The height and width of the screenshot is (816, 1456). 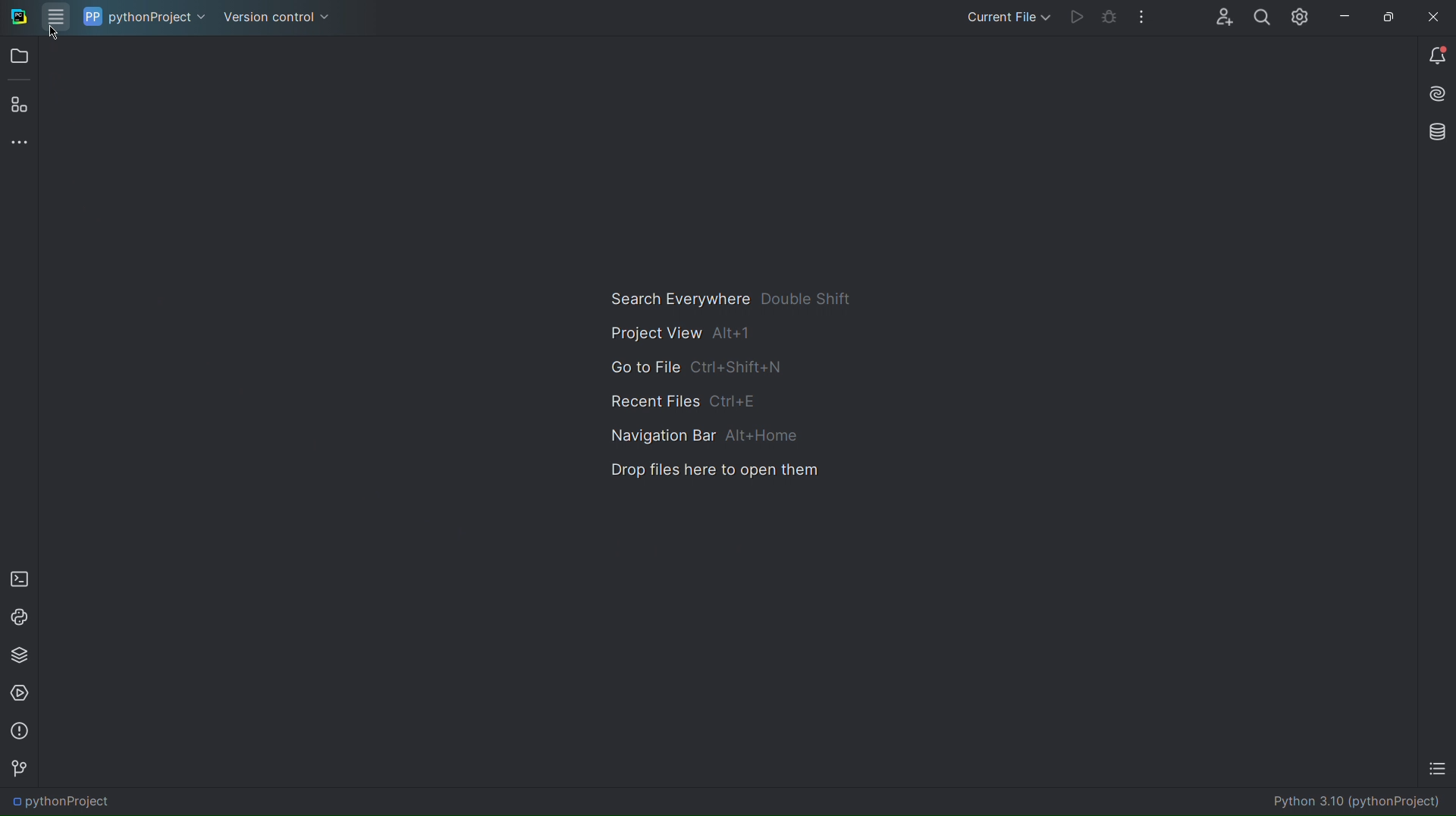 I want to click on Version Control, so click(x=19, y=769).